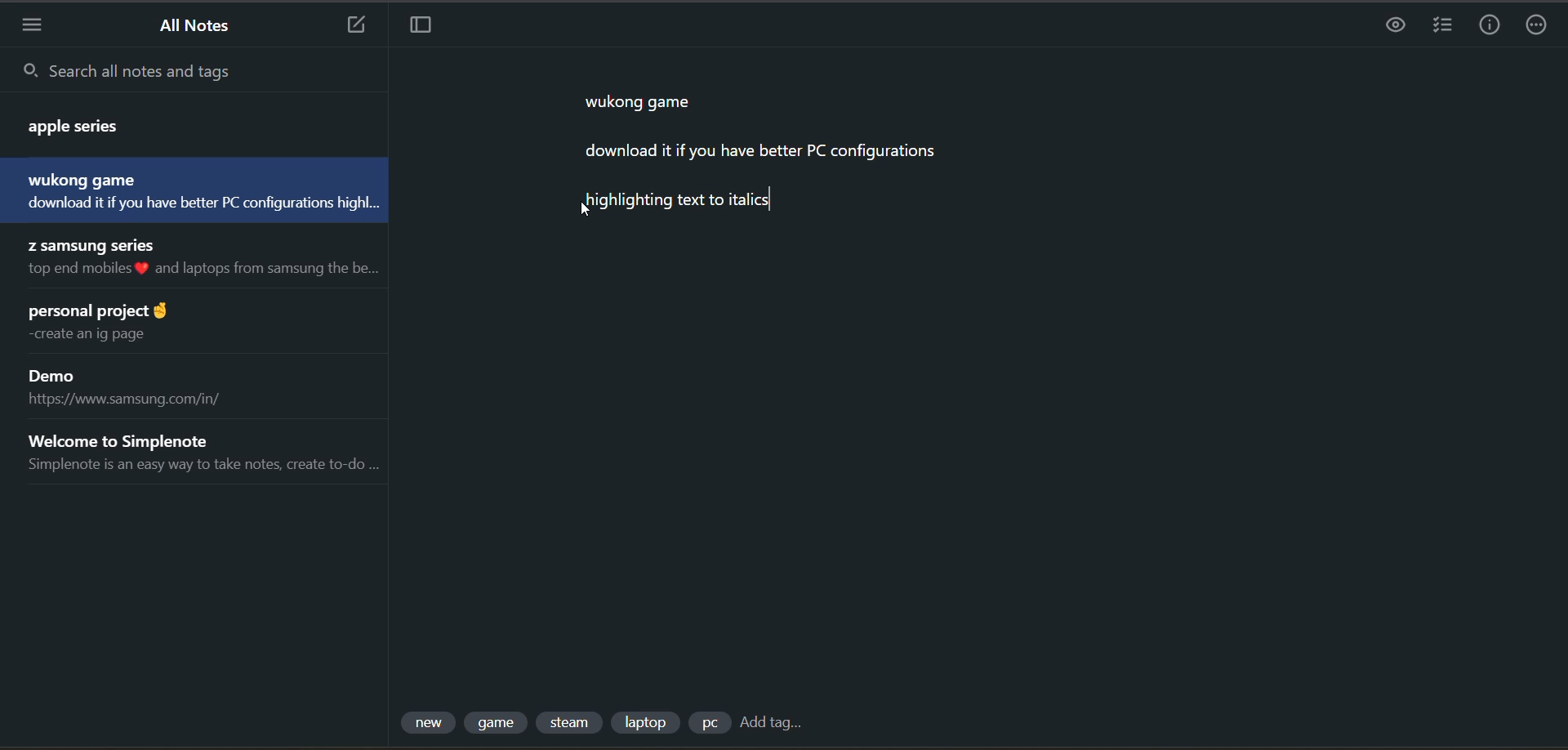 The width and height of the screenshot is (1568, 750). Describe the element at coordinates (143, 389) in the screenshot. I see `note title and preview` at that location.